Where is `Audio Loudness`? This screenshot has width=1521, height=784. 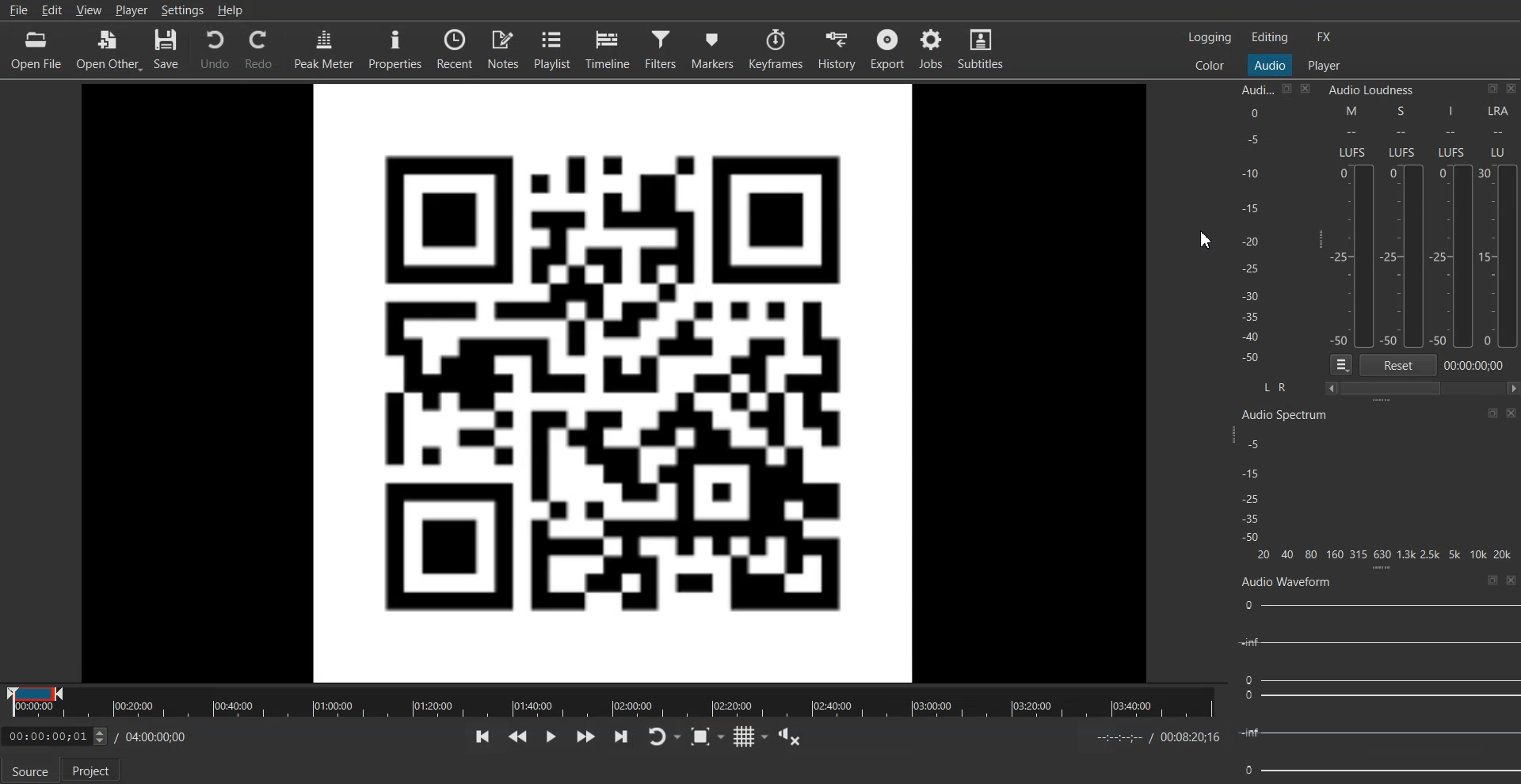
Audio Loudness is located at coordinates (1371, 91).